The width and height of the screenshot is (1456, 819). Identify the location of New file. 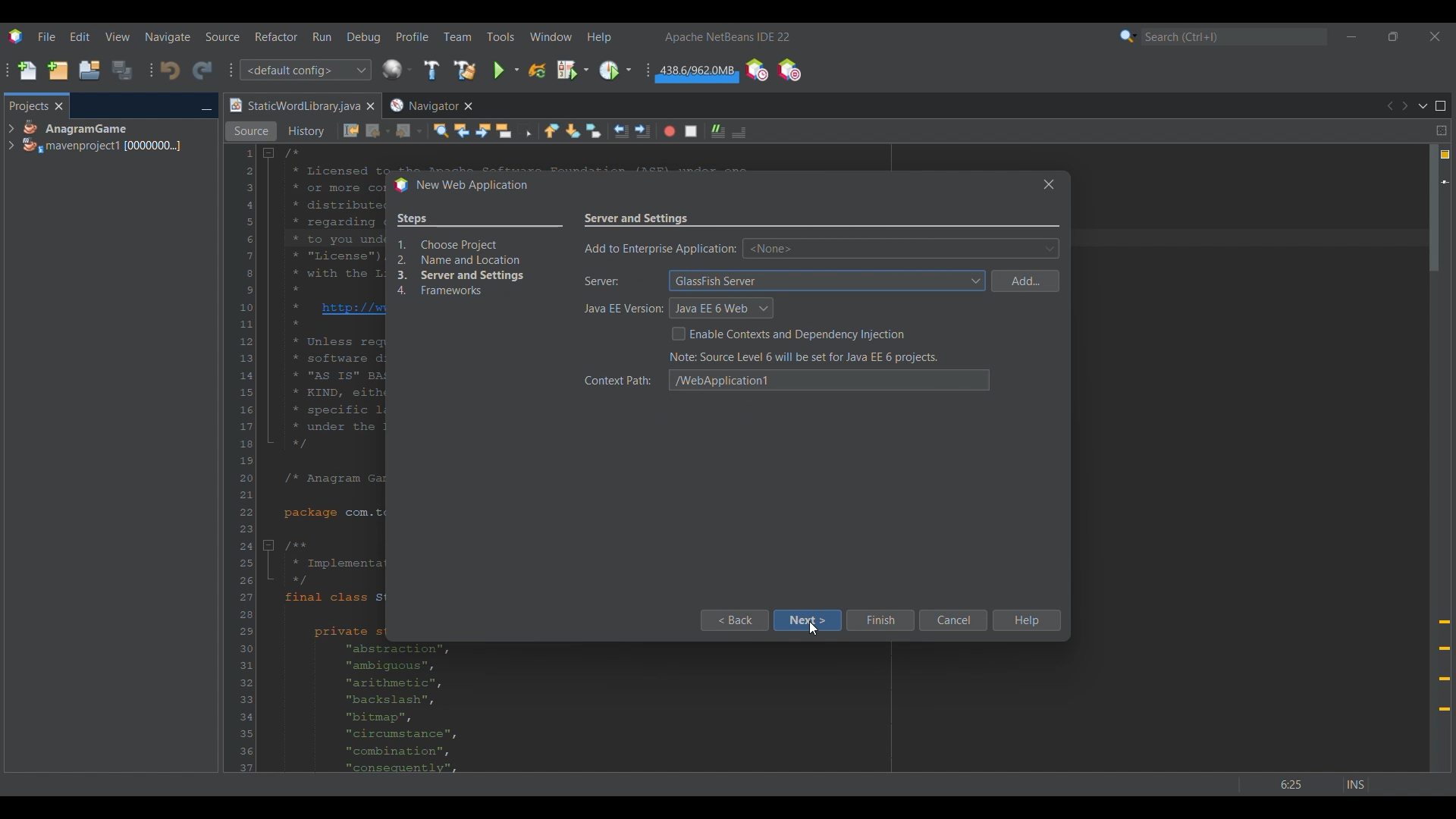
(27, 71).